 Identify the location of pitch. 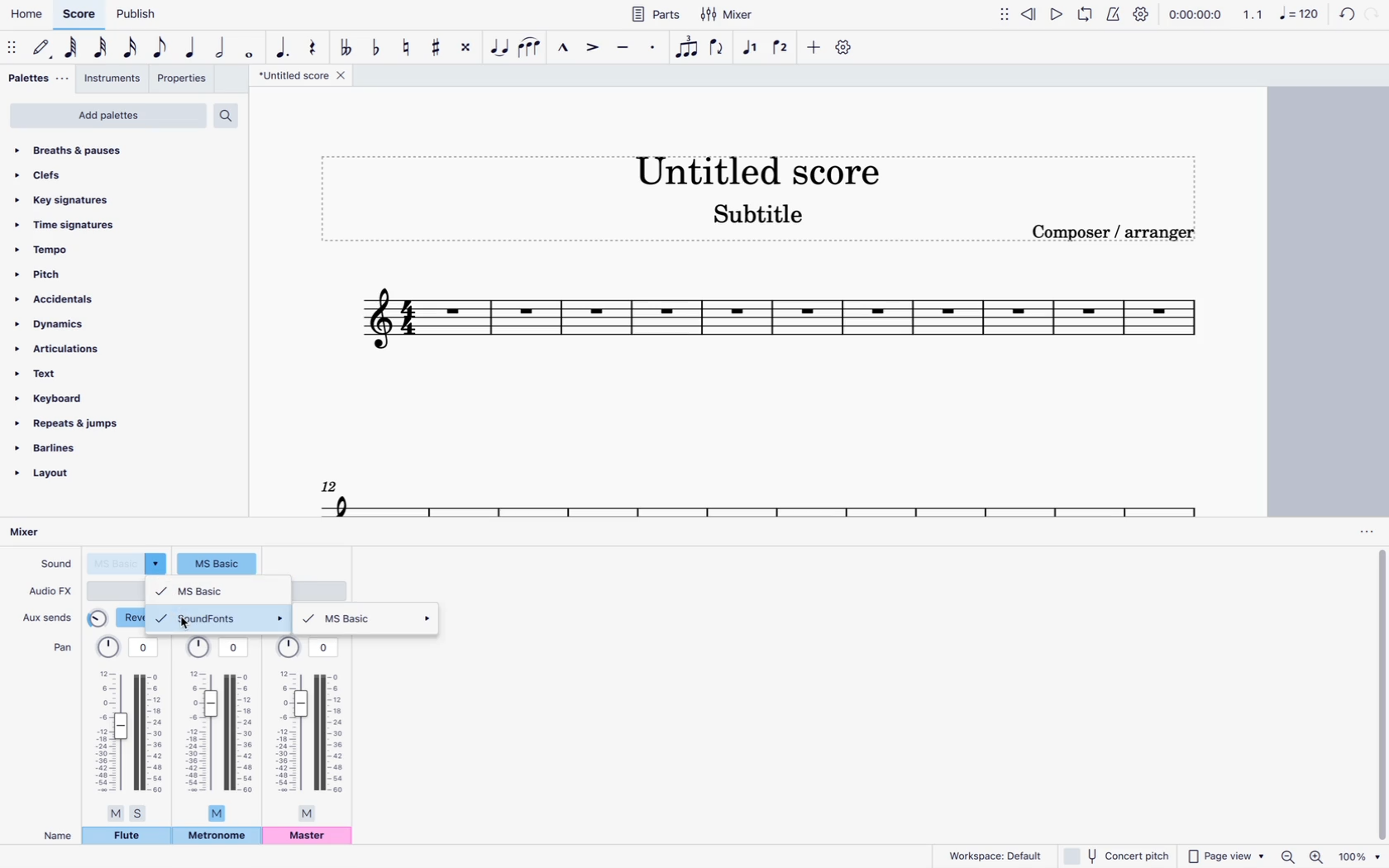
(76, 273).